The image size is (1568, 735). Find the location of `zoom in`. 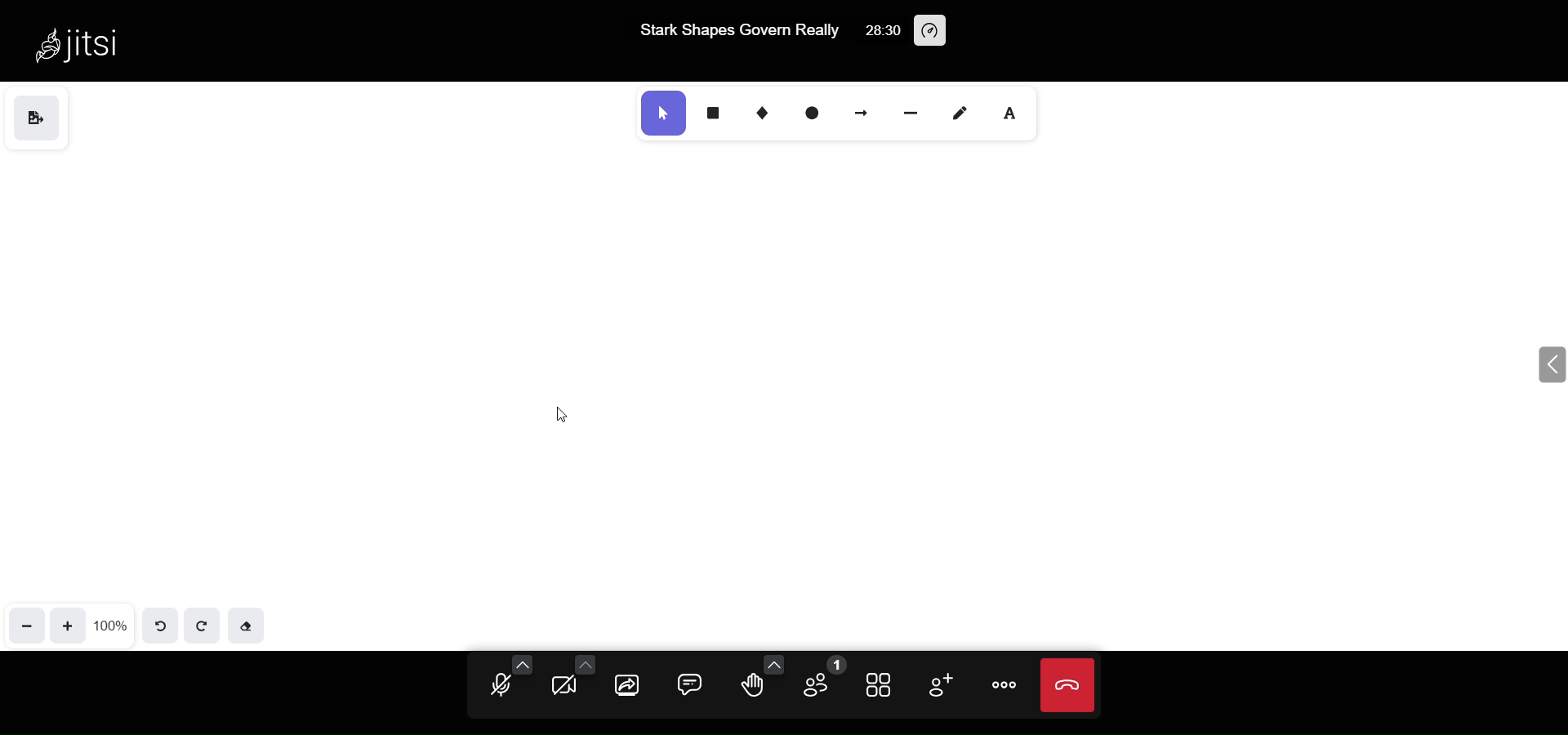

zoom in is located at coordinates (69, 624).